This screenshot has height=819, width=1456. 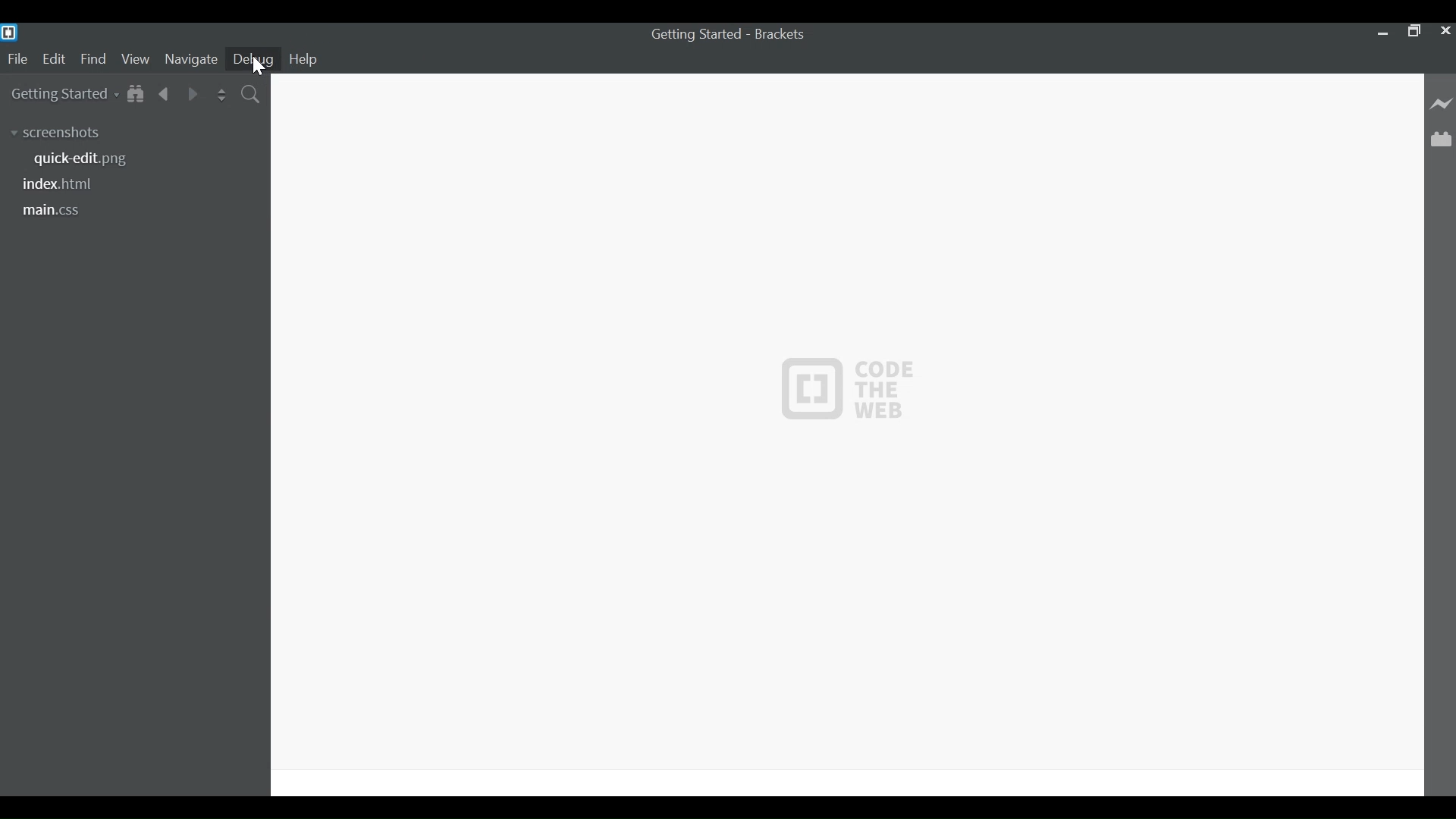 I want to click on main.css, so click(x=49, y=211).